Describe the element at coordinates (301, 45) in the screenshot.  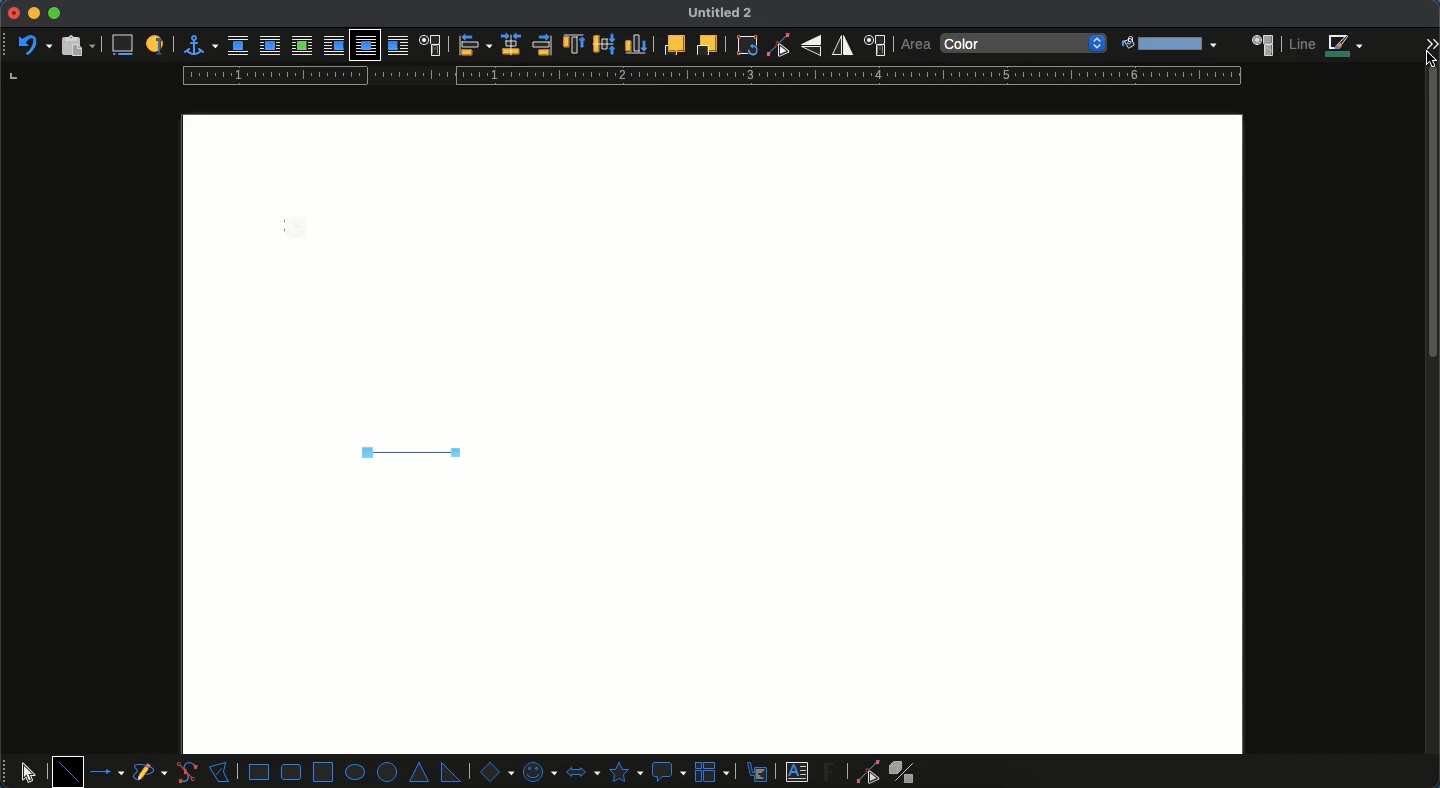
I see `optimal` at that location.